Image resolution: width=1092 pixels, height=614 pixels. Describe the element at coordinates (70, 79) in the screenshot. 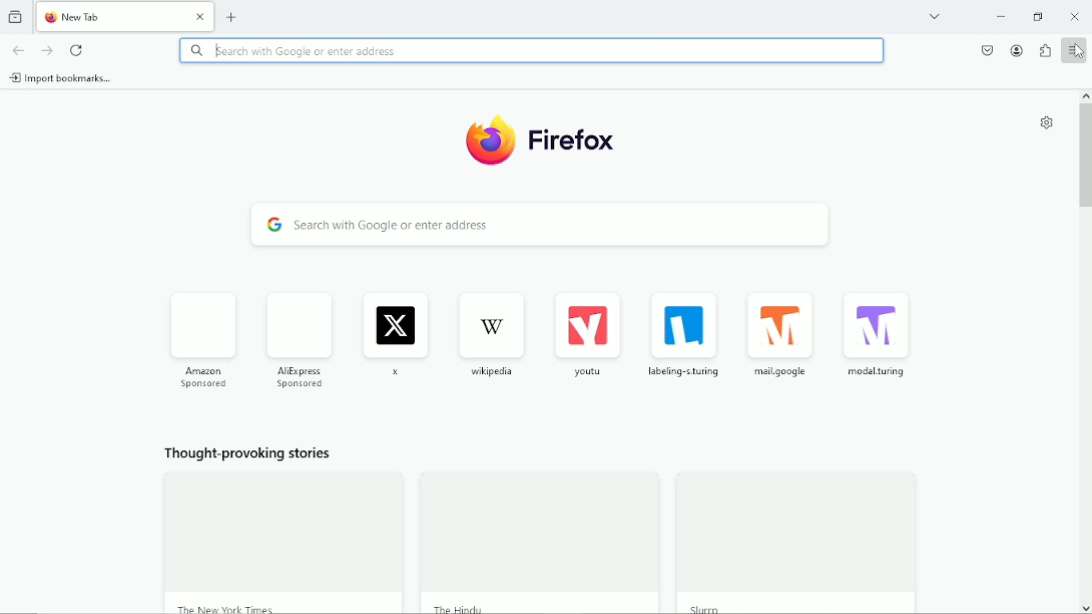

I see `import bookmarks` at that location.